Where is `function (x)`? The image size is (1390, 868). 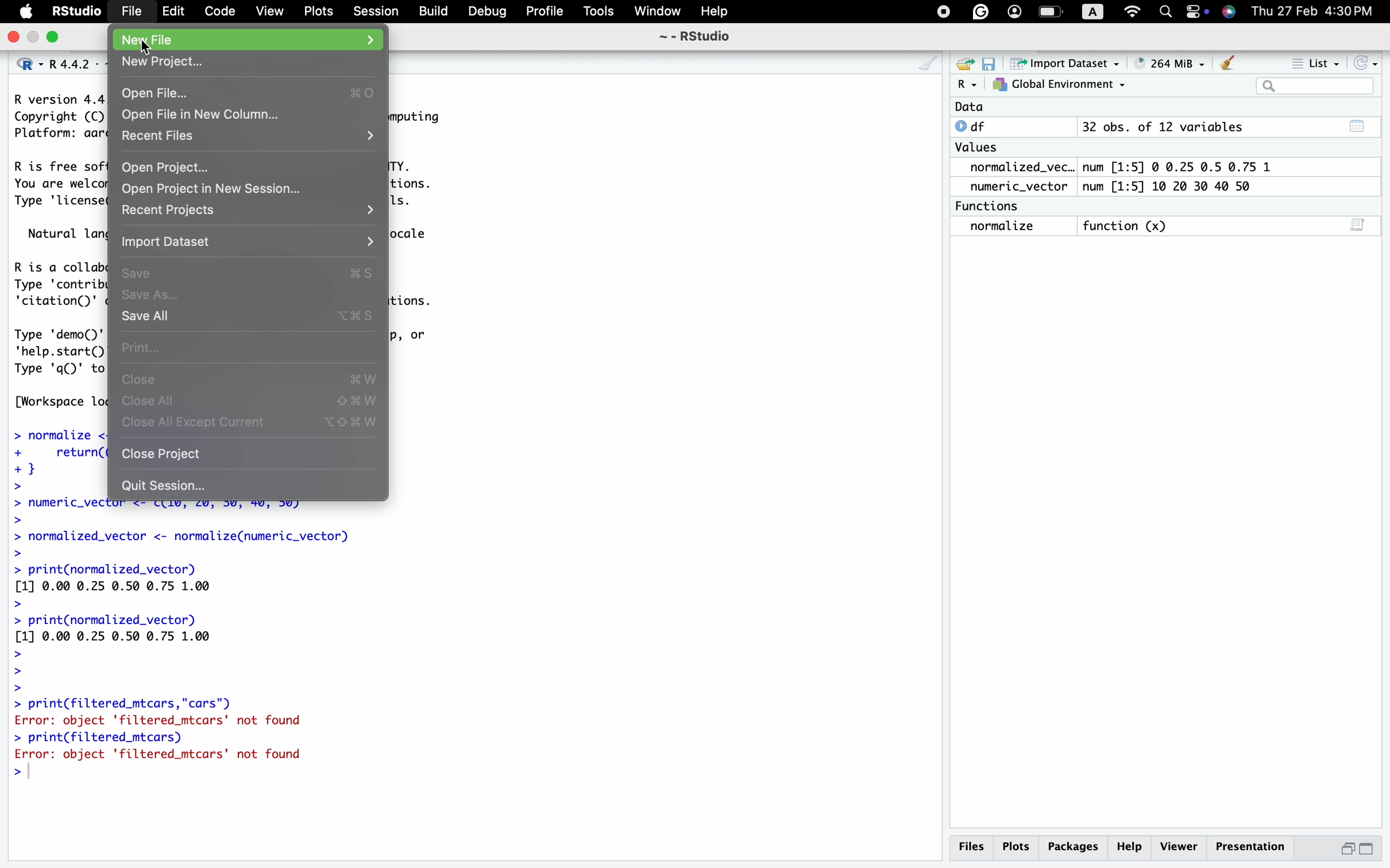
function (x) is located at coordinates (1128, 224).